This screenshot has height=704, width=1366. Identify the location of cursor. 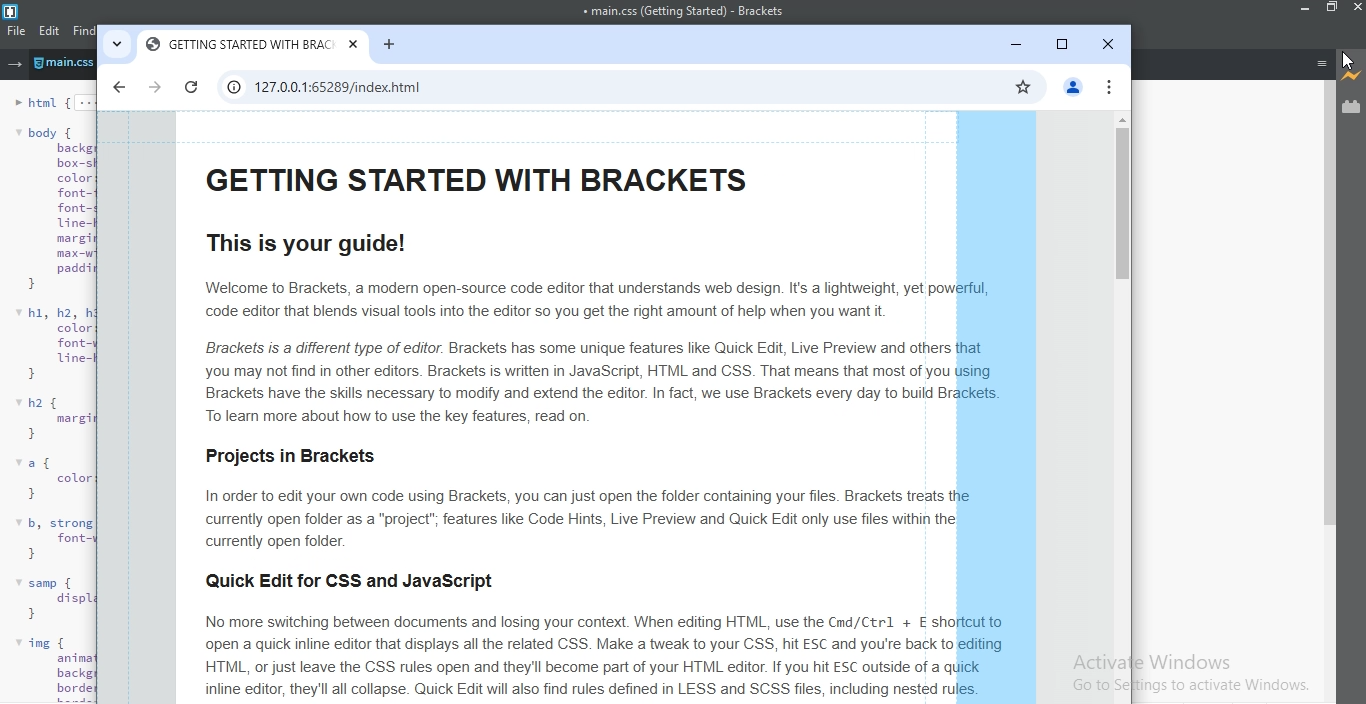
(1344, 62).